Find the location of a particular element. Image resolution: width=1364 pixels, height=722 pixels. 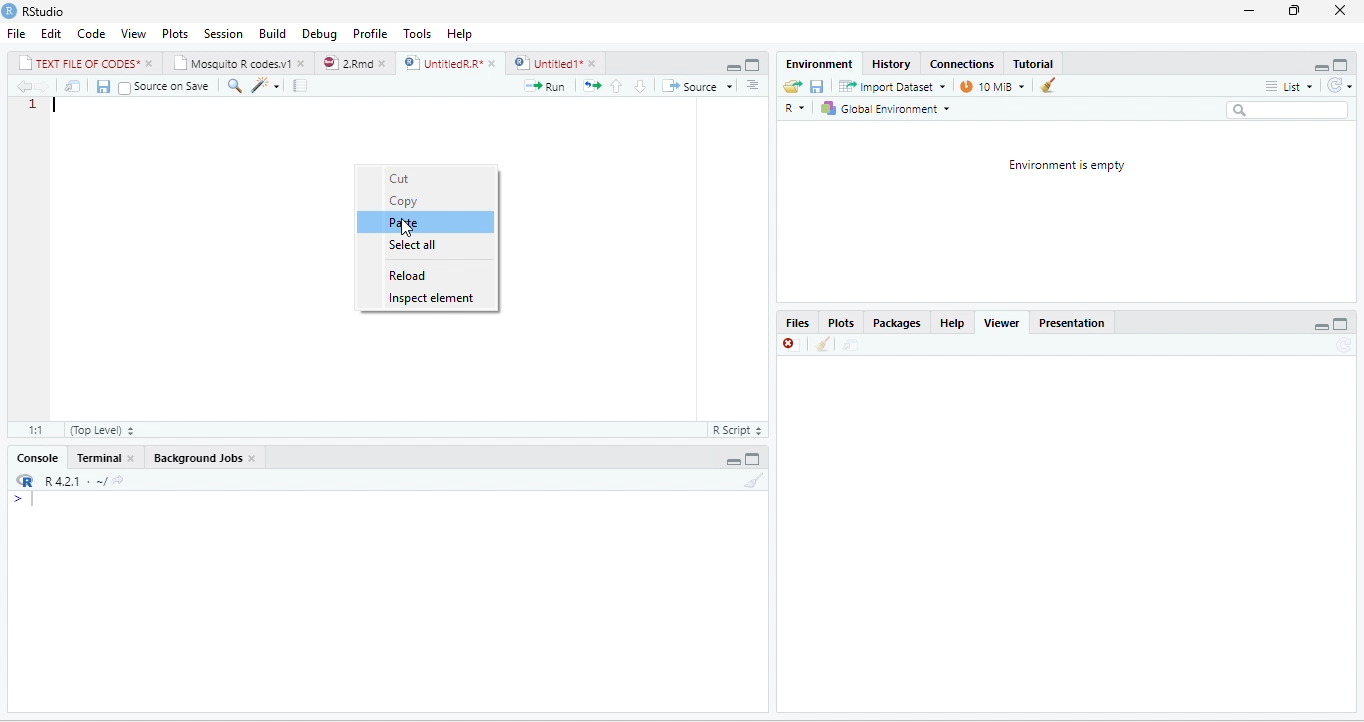

Profile is located at coordinates (371, 32).